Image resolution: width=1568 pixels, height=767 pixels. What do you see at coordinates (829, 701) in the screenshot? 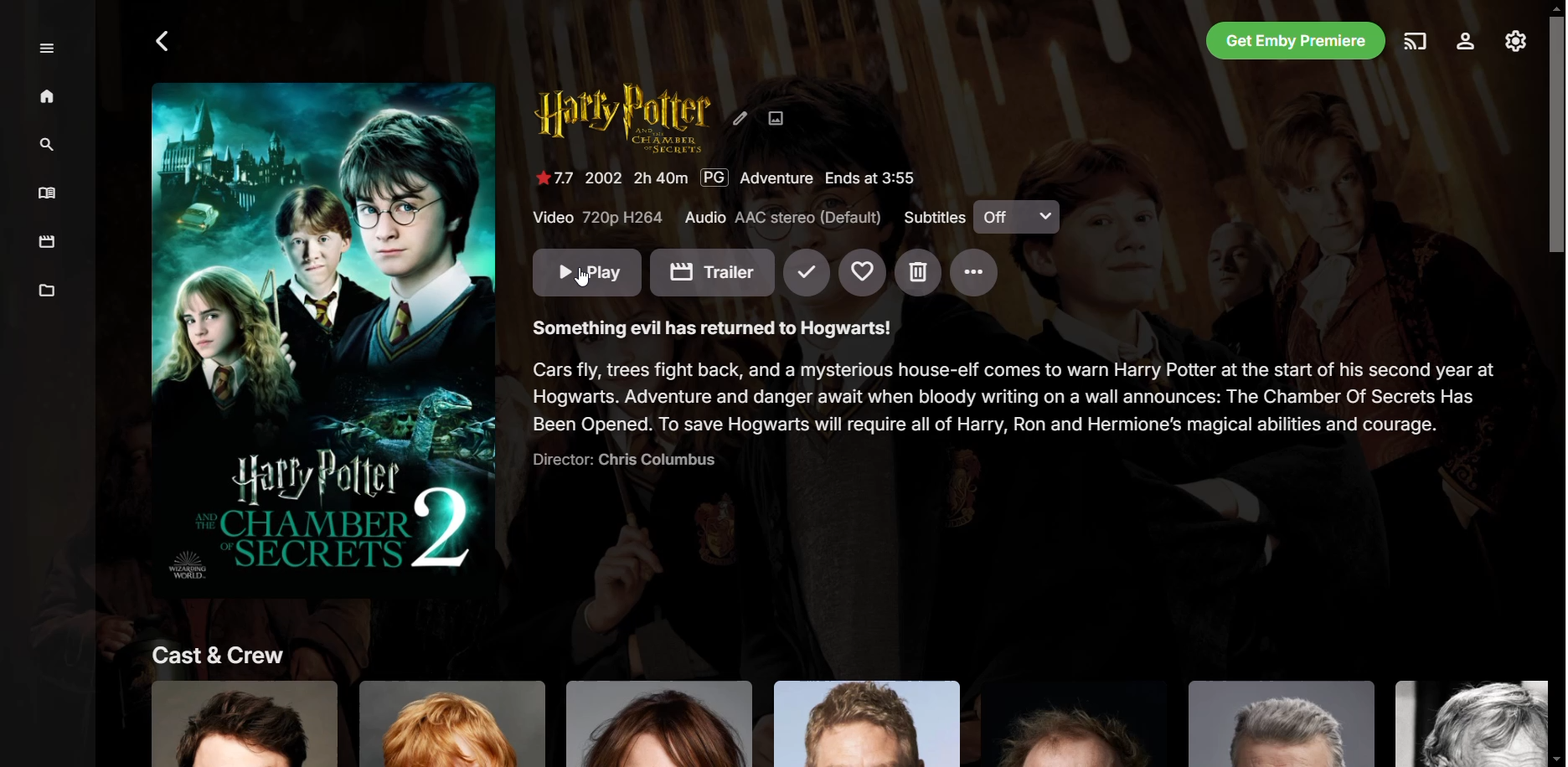
I see `Cast and Crew` at bounding box center [829, 701].